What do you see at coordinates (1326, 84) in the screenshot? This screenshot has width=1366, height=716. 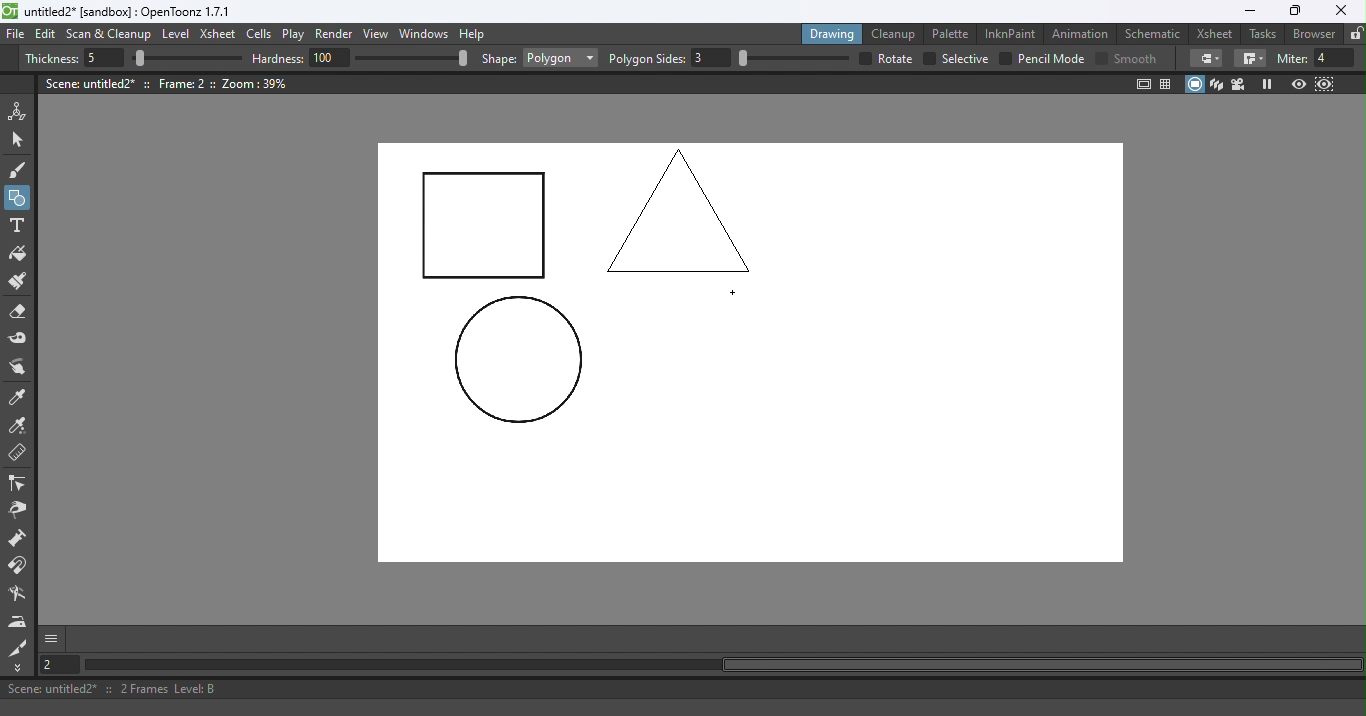 I see `Sub-Camera view` at bounding box center [1326, 84].